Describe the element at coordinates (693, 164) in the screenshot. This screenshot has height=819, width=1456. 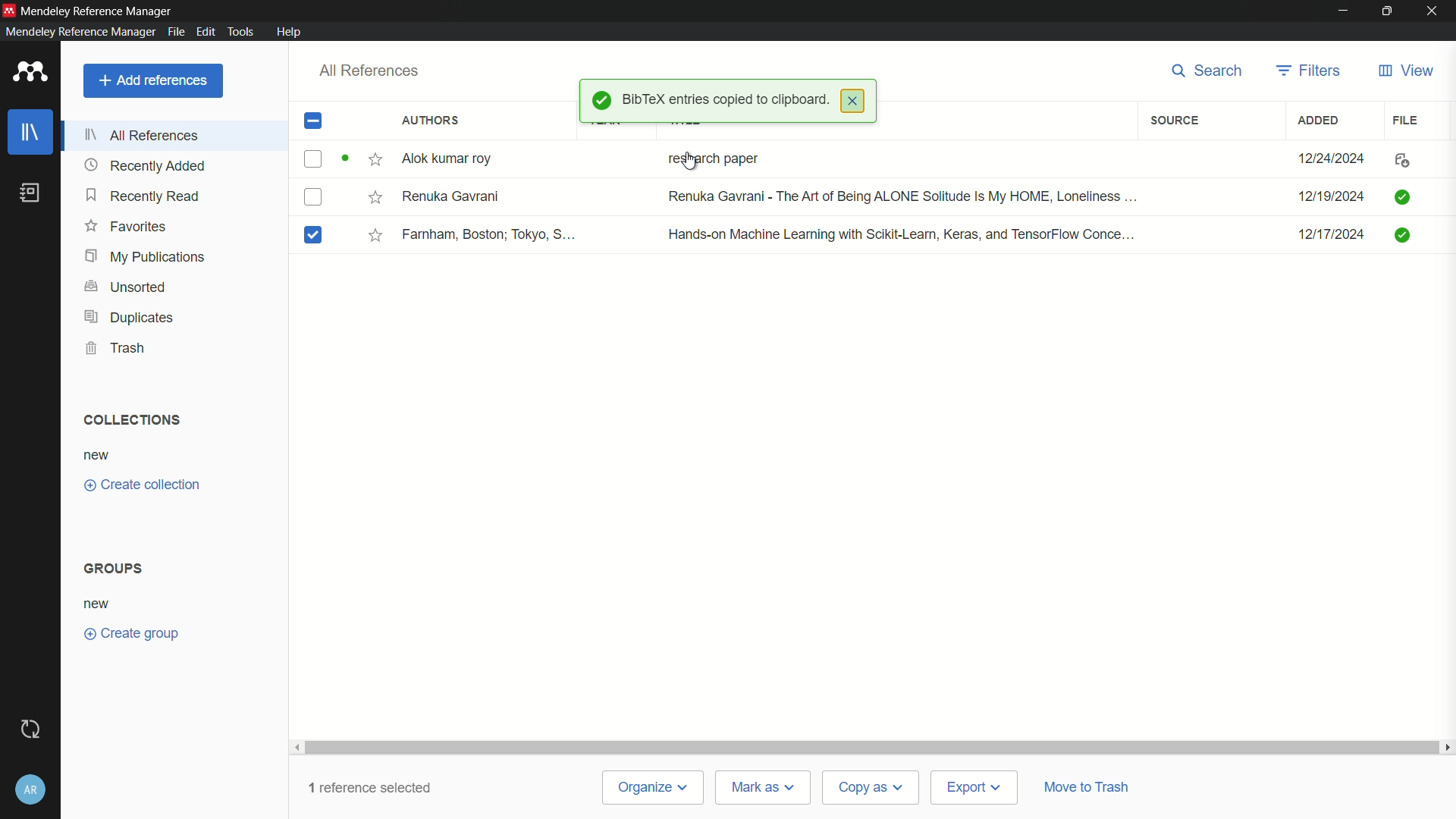
I see `cursor` at that location.